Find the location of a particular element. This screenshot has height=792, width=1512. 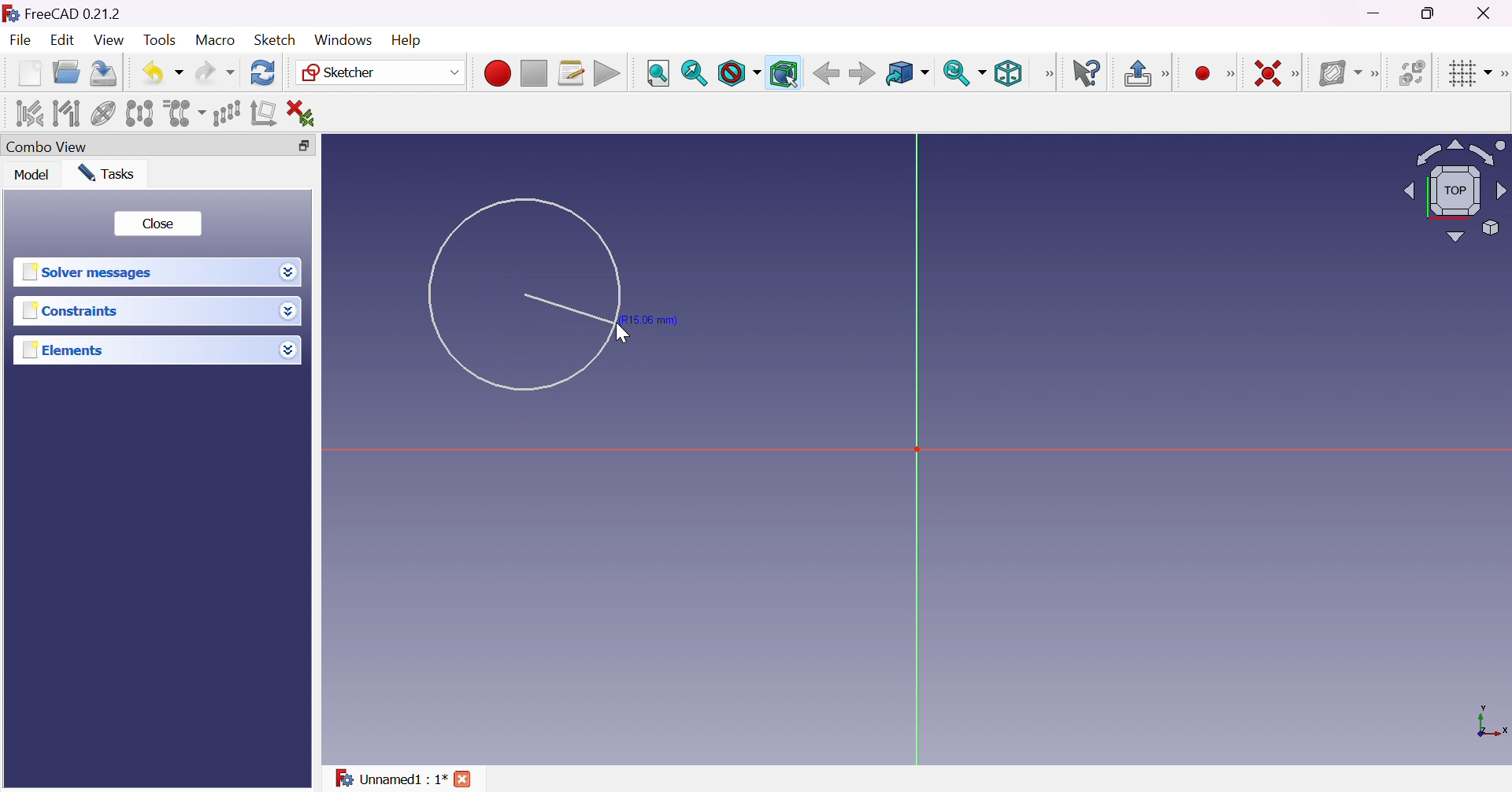

Show/hide B-spline information layer is located at coordinates (1340, 72).